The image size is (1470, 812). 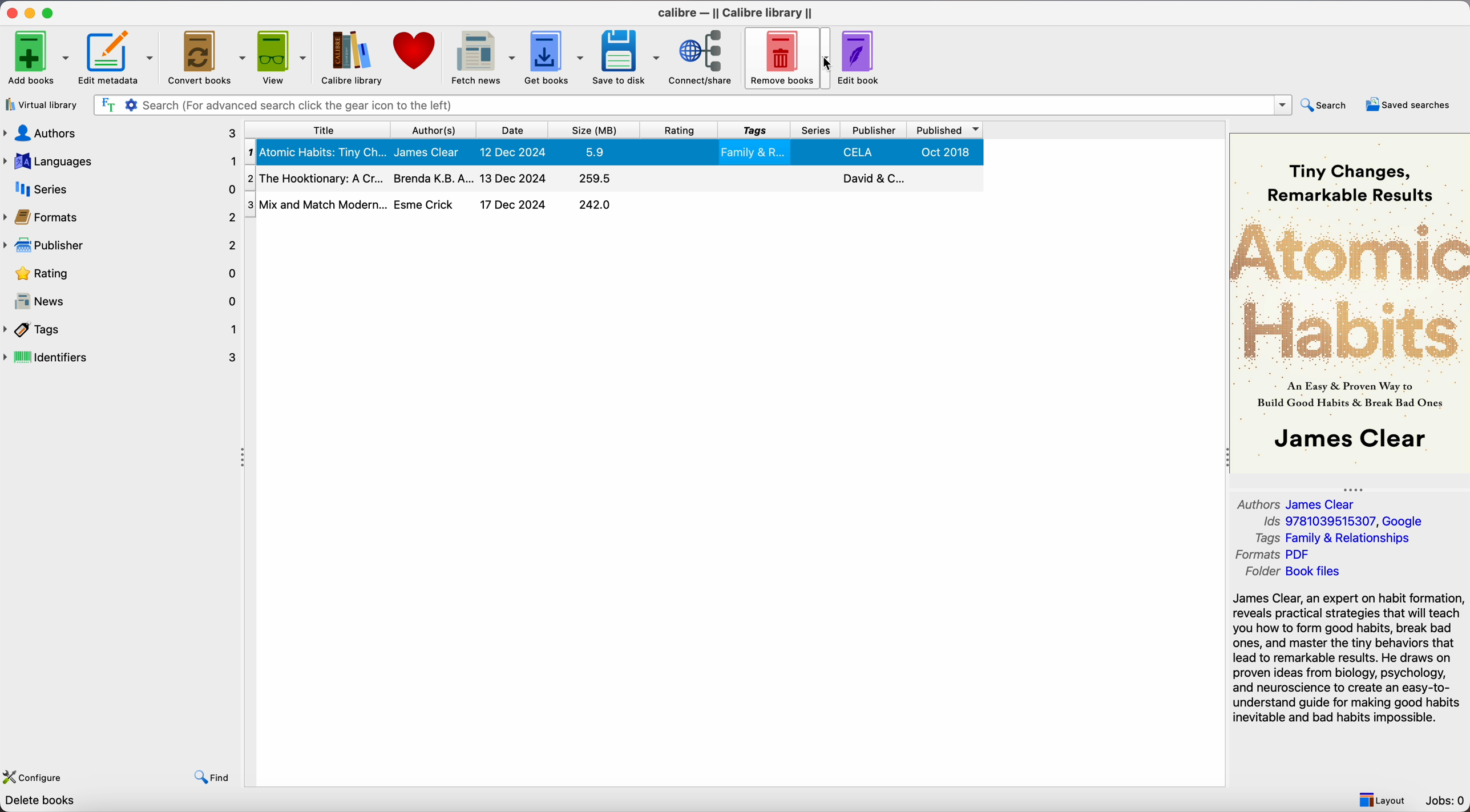 What do you see at coordinates (34, 777) in the screenshot?
I see `configure` at bounding box center [34, 777].